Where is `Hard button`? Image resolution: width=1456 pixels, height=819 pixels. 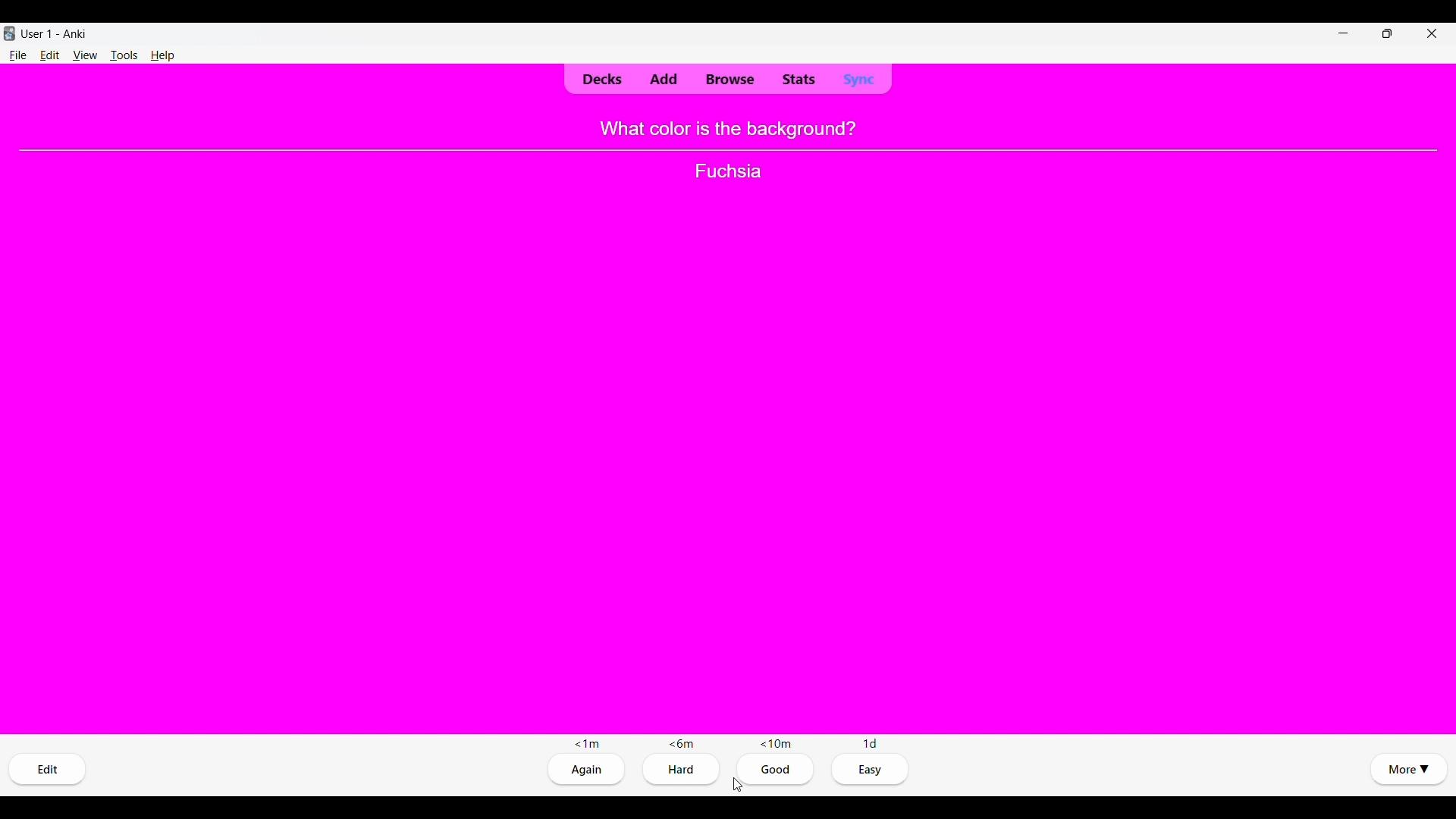
Hard button is located at coordinates (684, 768).